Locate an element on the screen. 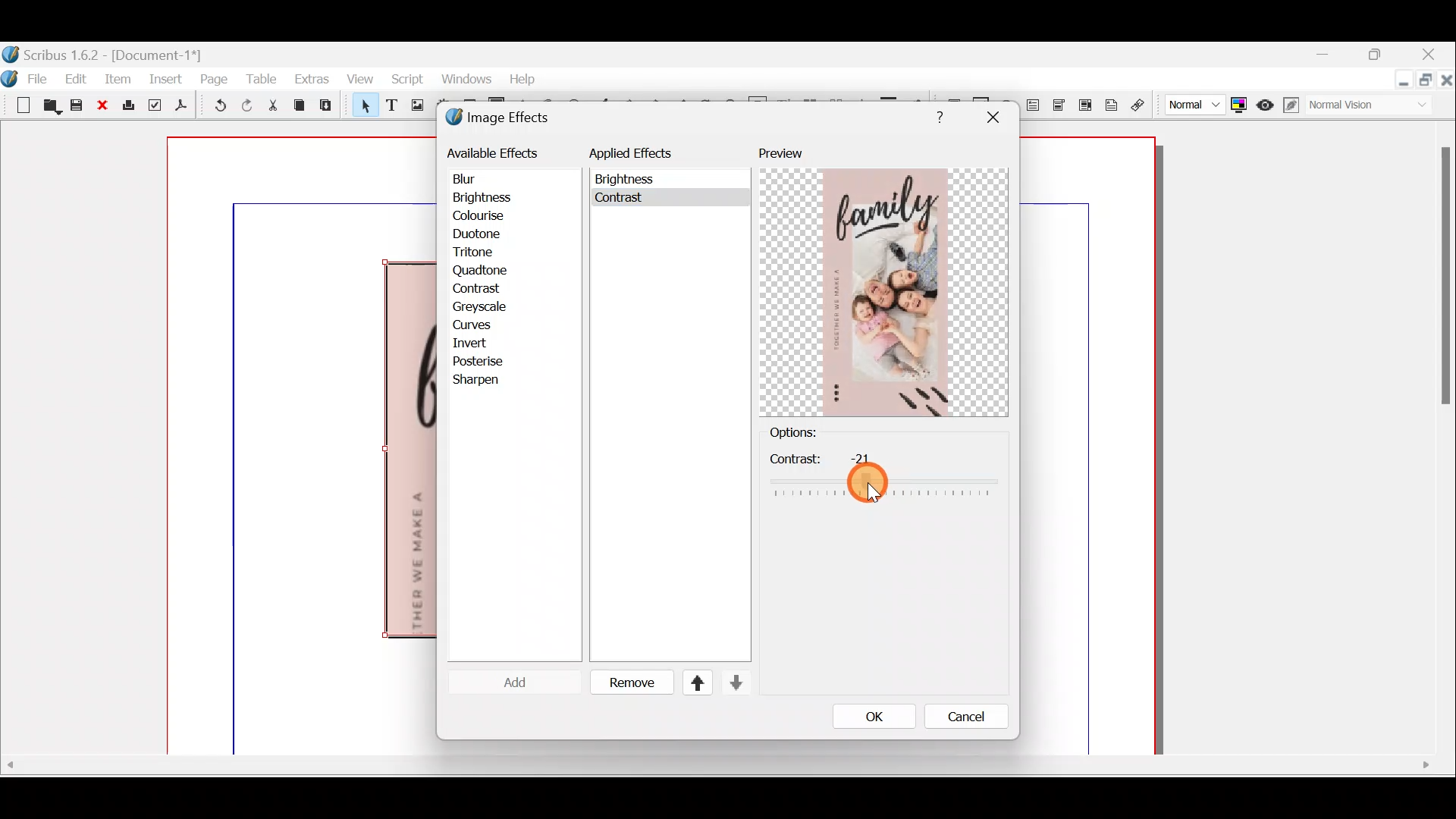 The height and width of the screenshot is (819, 1456). OK is located at coordinates (874, 716).